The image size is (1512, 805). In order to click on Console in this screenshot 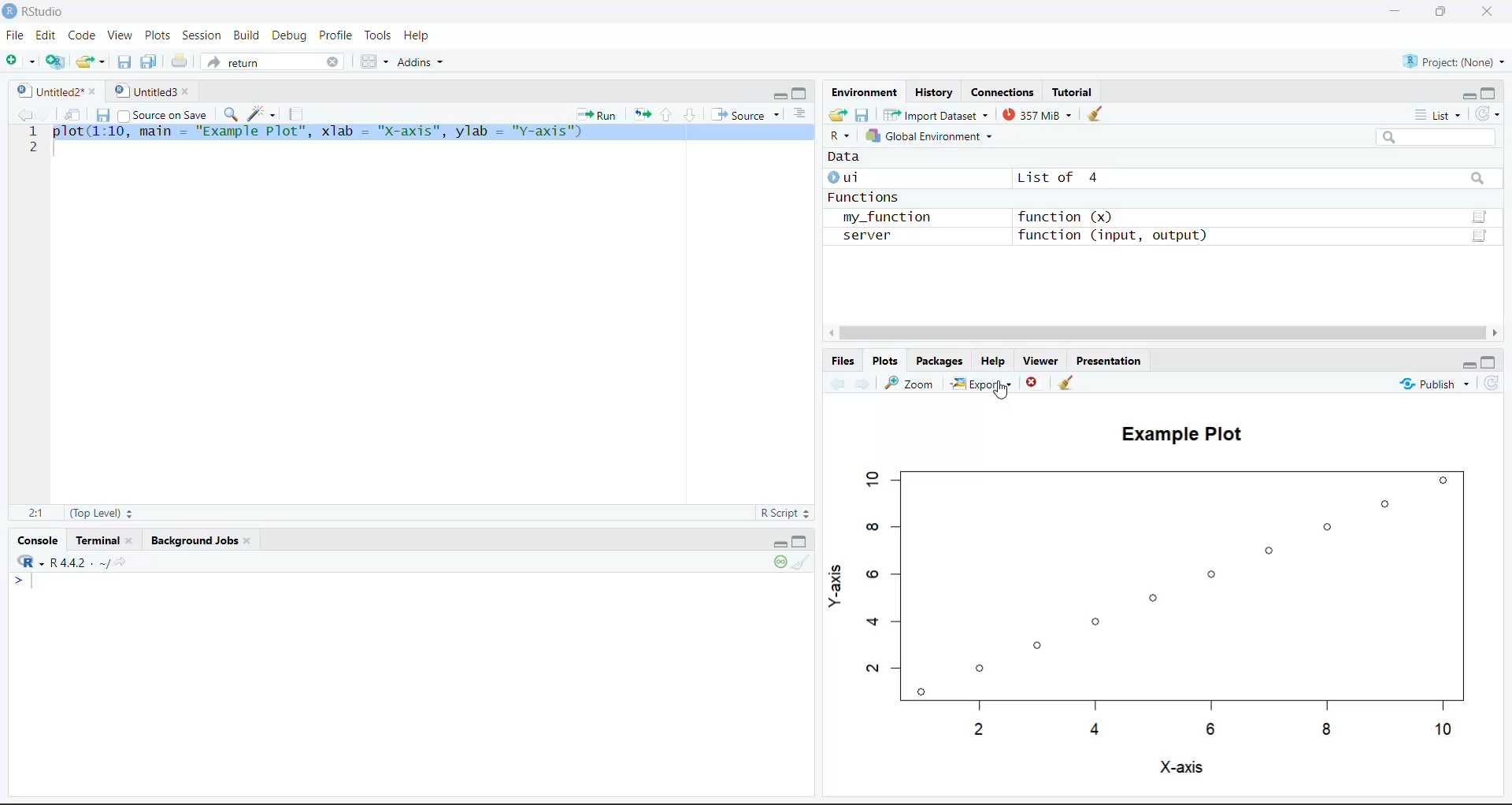, I will do `click(40, 538)`.